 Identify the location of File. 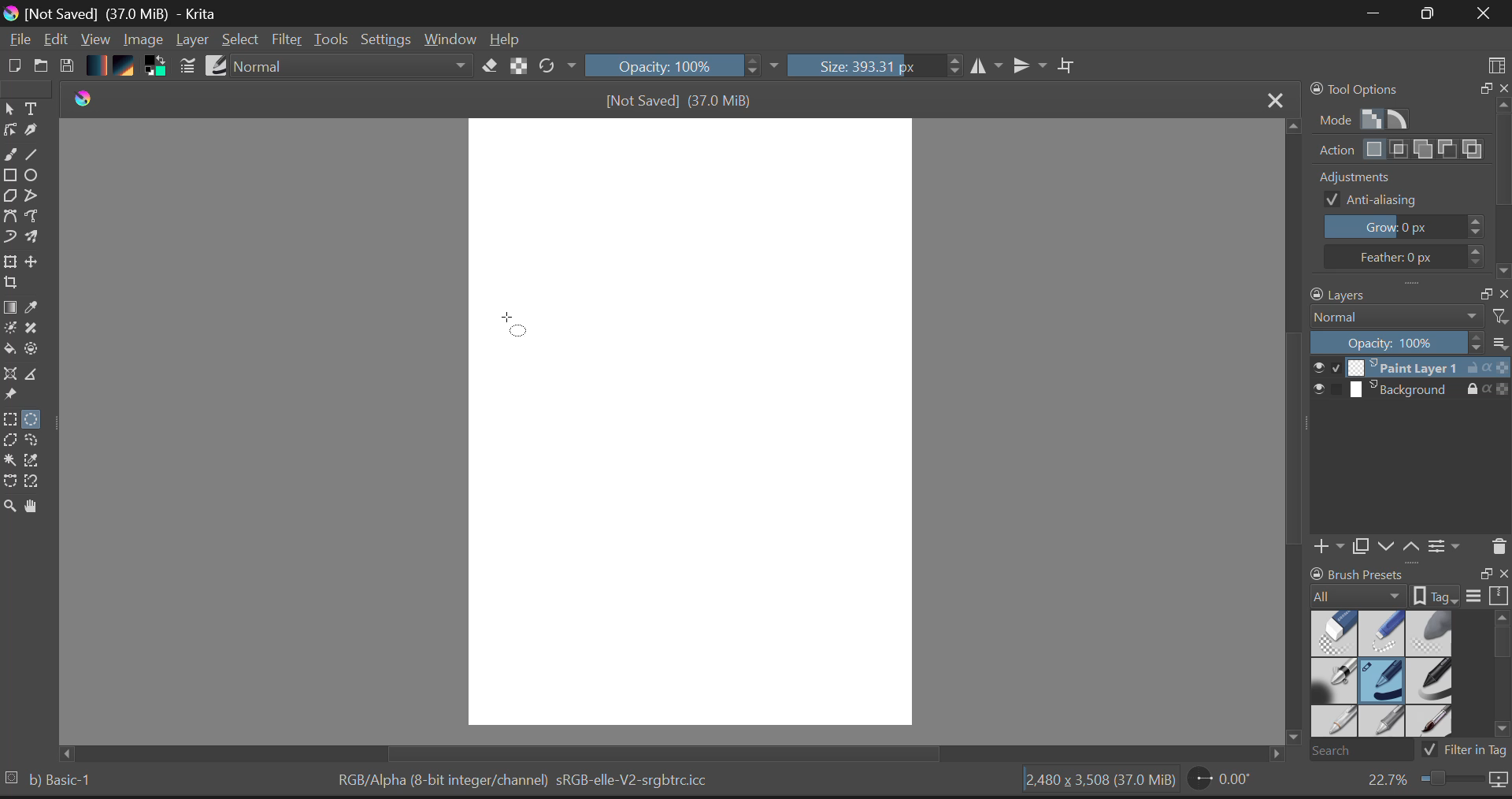
(19, 42).